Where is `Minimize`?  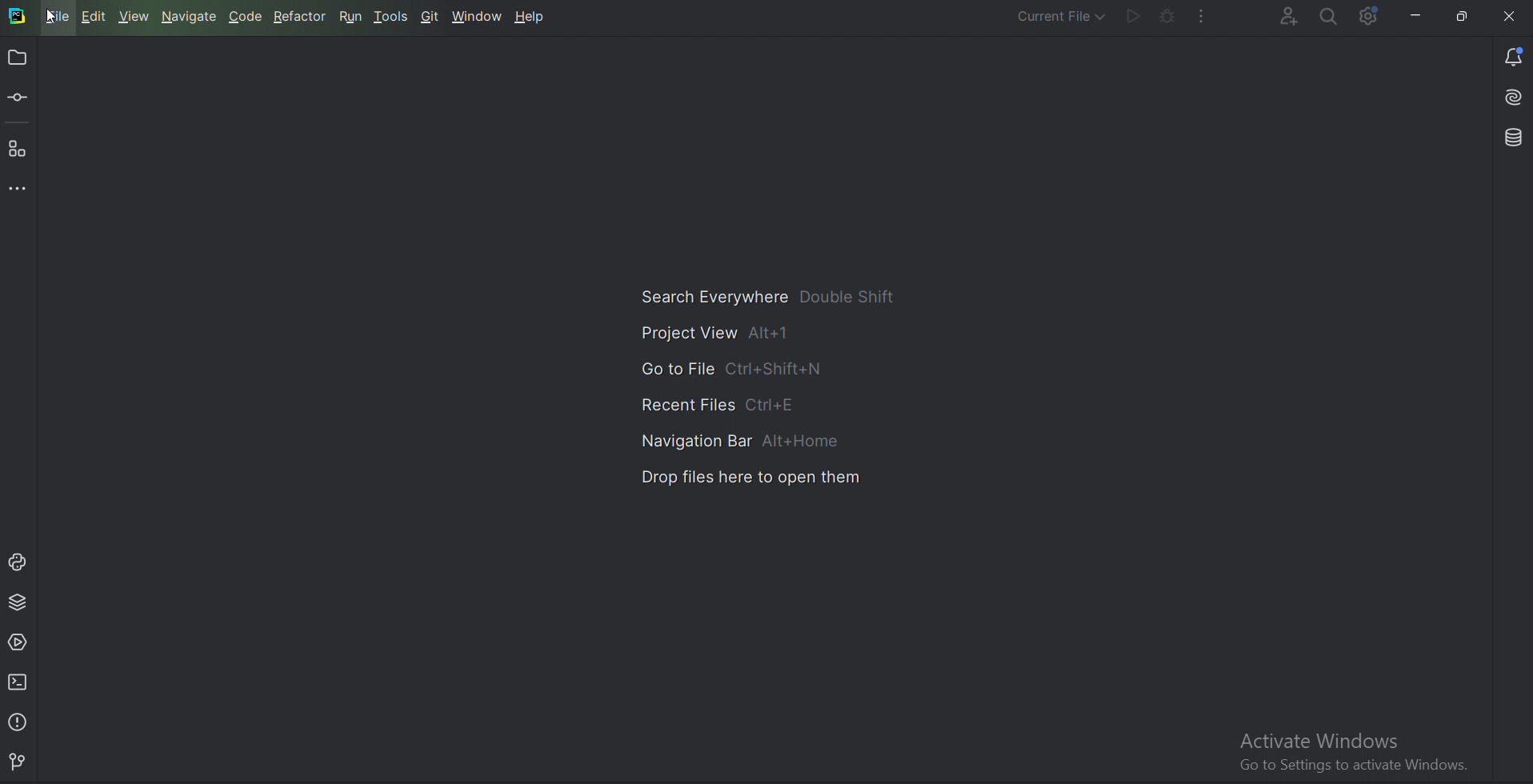
Minimize is located at coordinates (1417, 16).